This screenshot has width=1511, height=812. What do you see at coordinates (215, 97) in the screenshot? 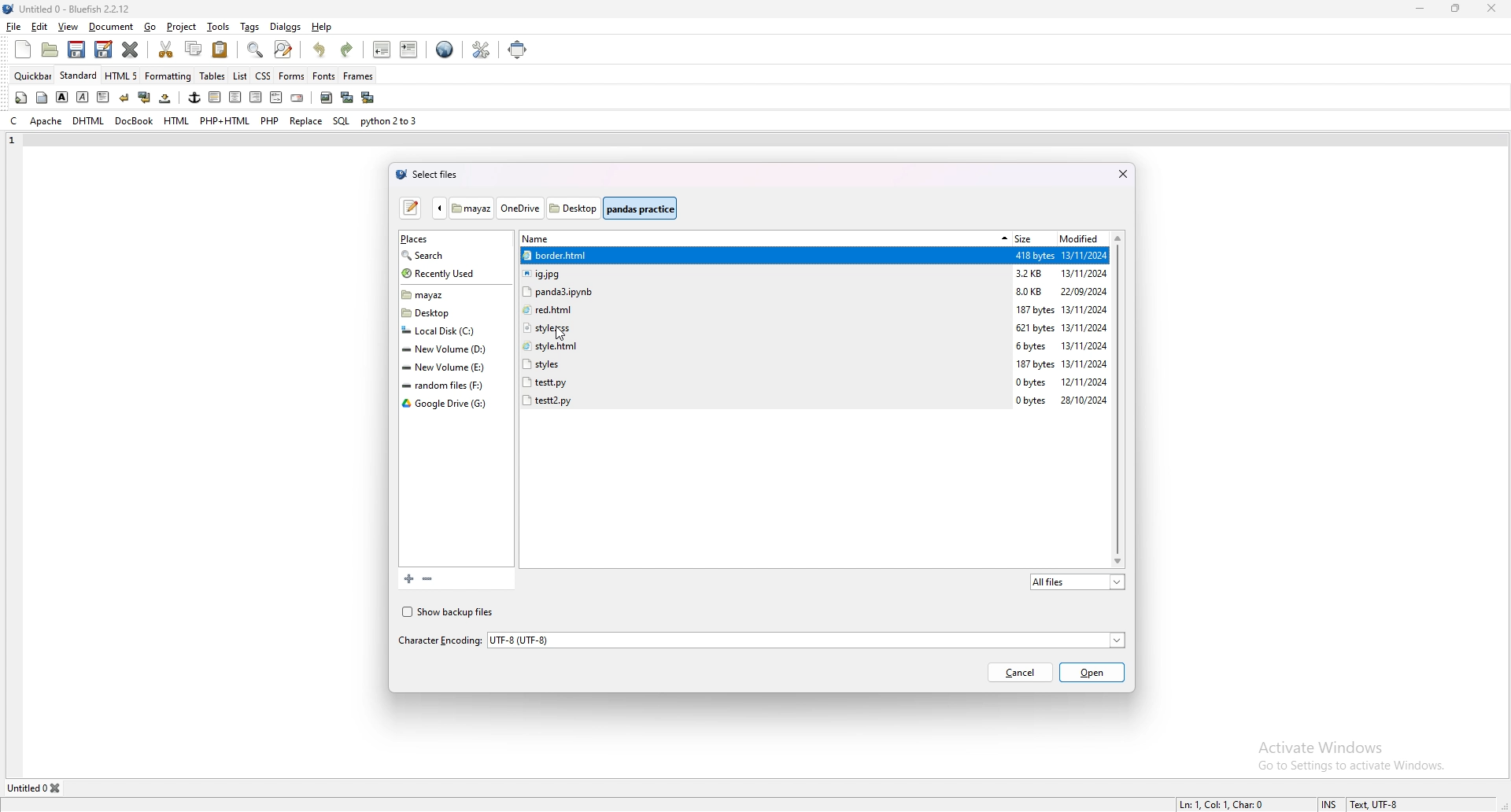
I see `horizontal rule` at bounding box center [215, 97].